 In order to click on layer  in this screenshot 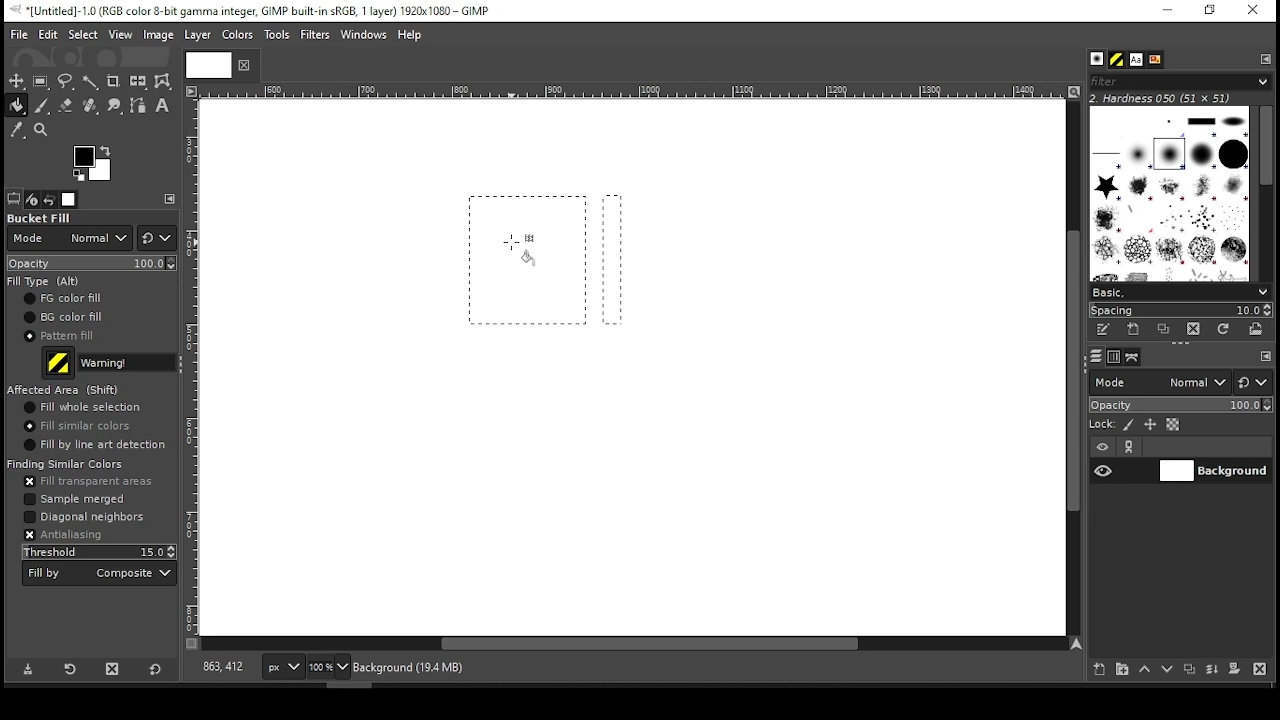, I will do `click(1213, 471)`.